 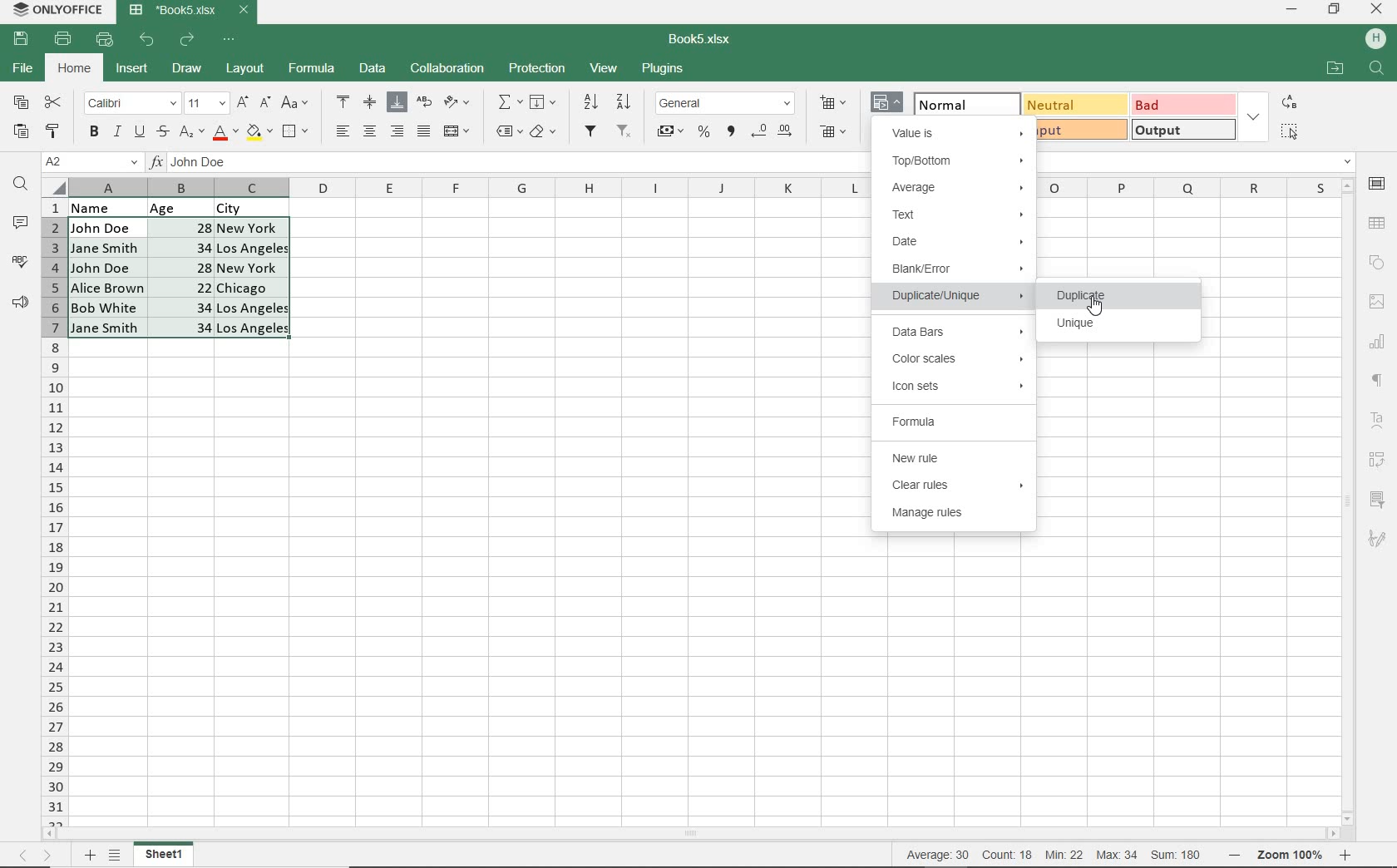 I want to click on DUPLICATE/UNIQUE, so click(x=959, y=298).